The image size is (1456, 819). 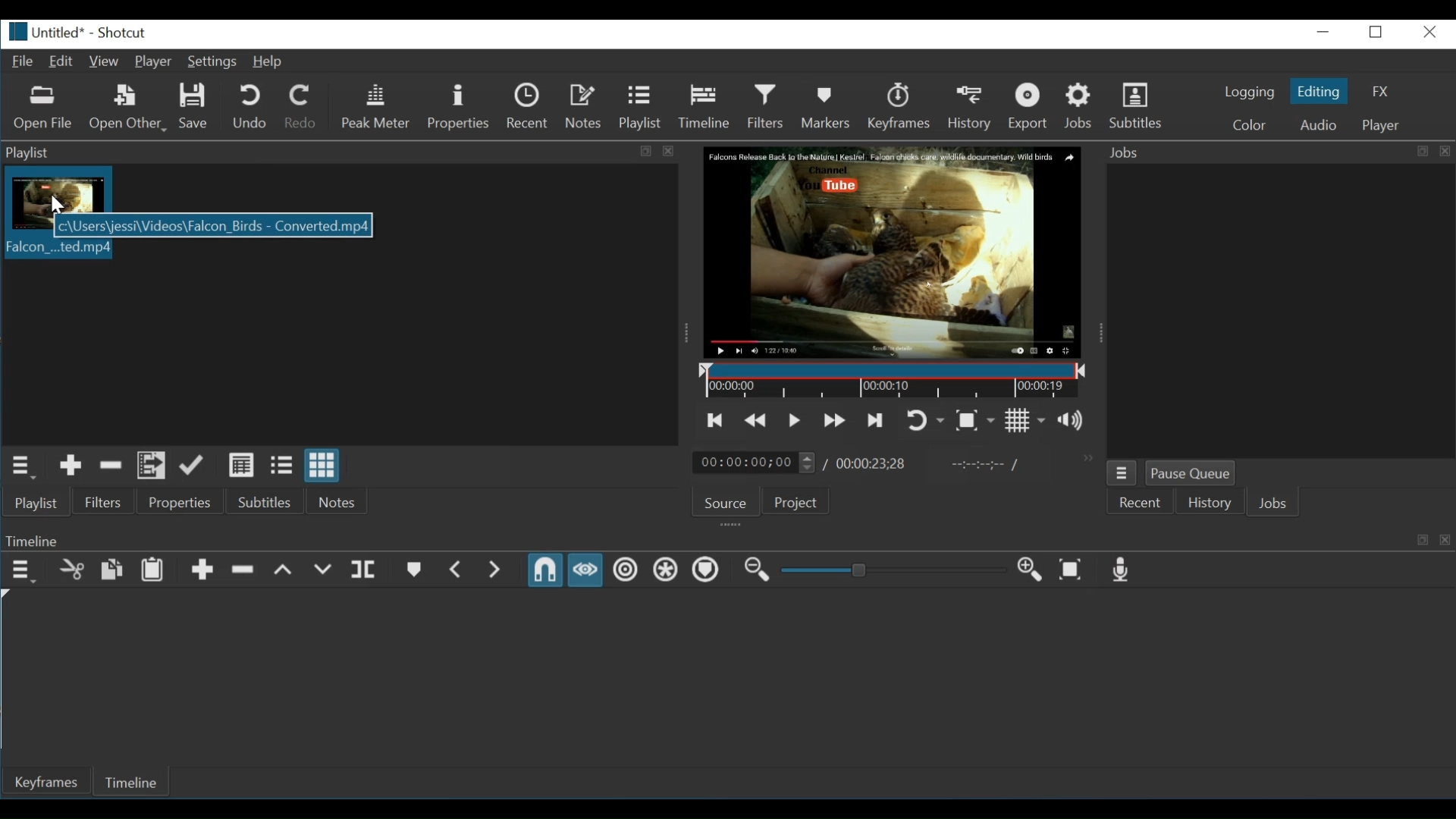 What do you see at coordinates (1317, 124) in the screenshot?
I see `Audio` at bounding box center [1317, 124].